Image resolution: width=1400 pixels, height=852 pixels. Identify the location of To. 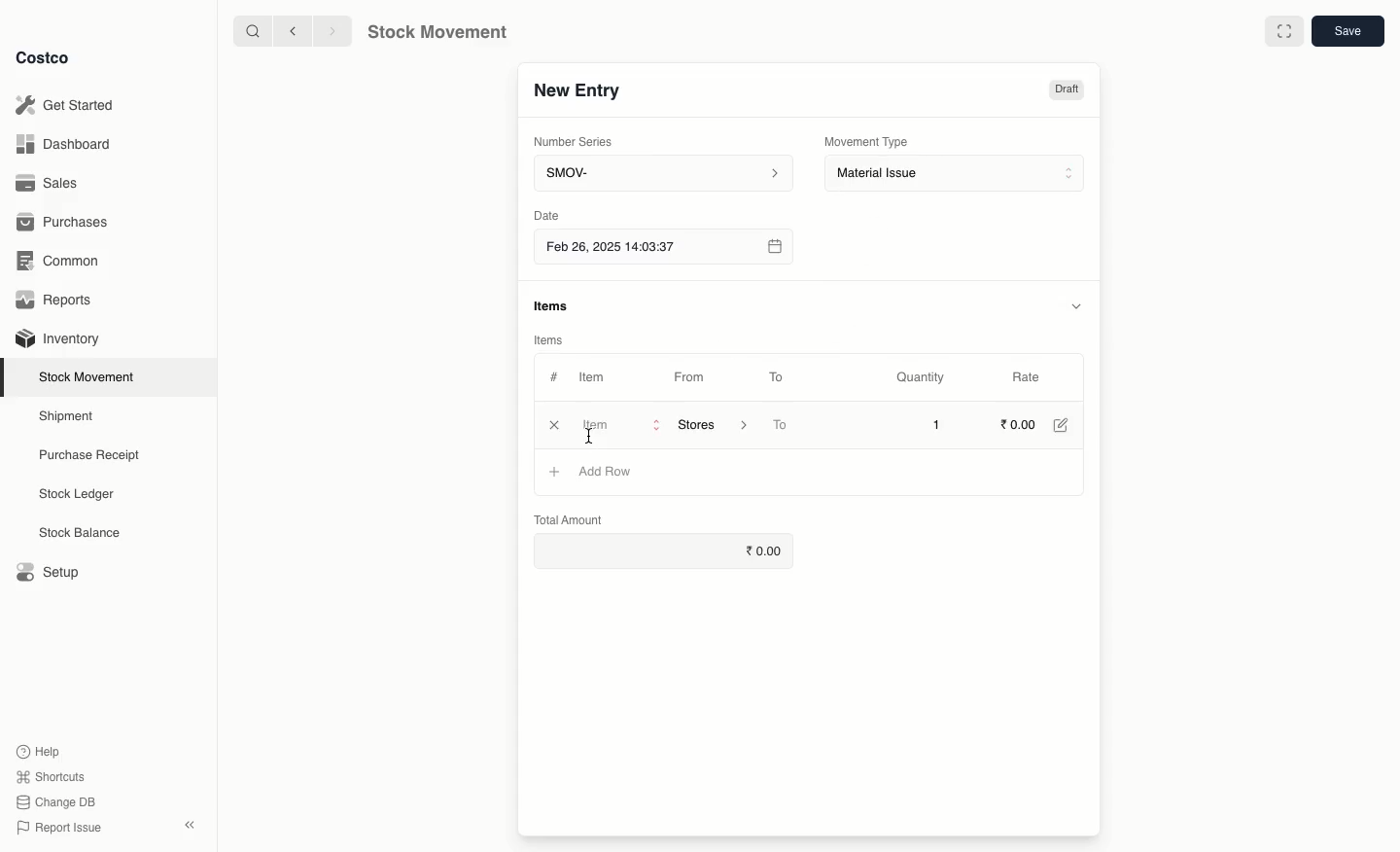
(777, 376).